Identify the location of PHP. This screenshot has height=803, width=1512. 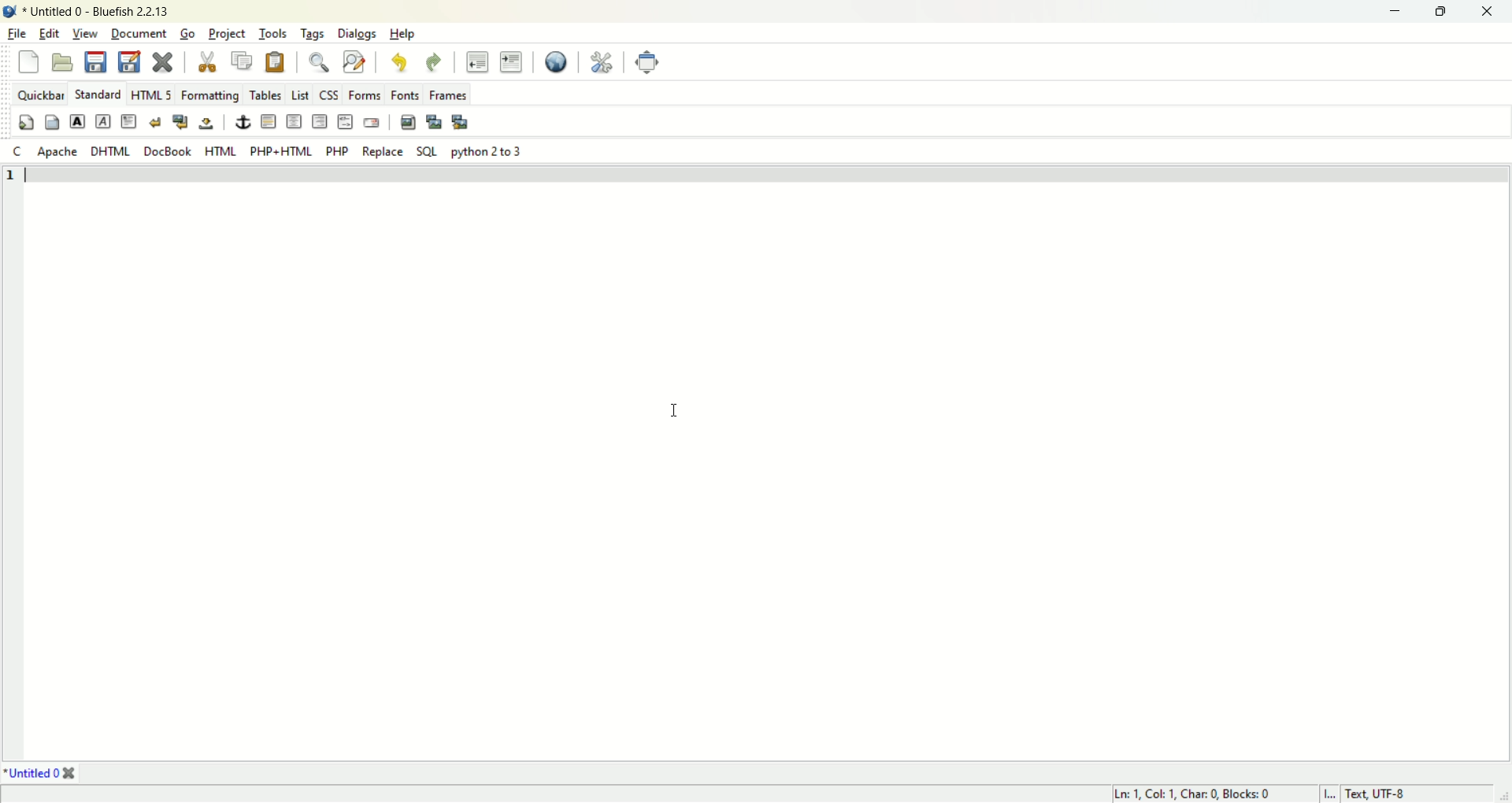
(337, 150).